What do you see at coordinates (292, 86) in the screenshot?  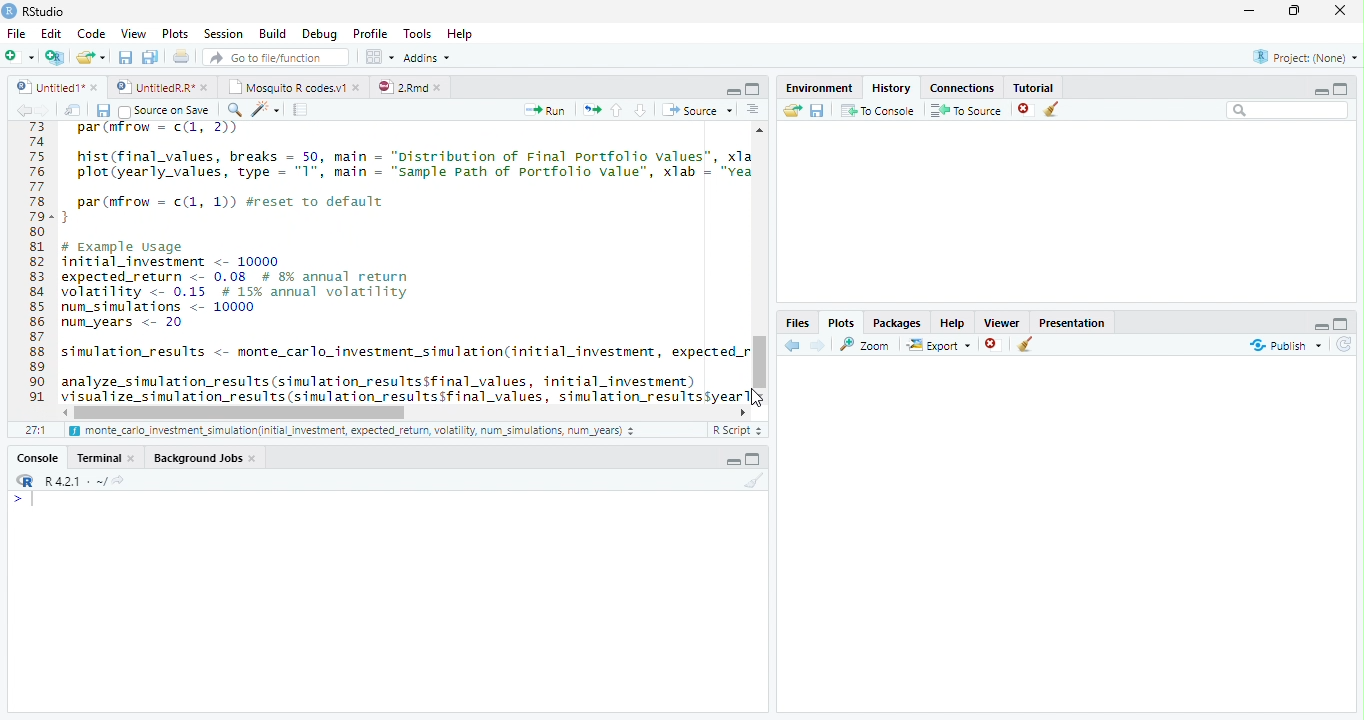 I see `Mosquito R codes.v1` at bounding box center [292, 86].